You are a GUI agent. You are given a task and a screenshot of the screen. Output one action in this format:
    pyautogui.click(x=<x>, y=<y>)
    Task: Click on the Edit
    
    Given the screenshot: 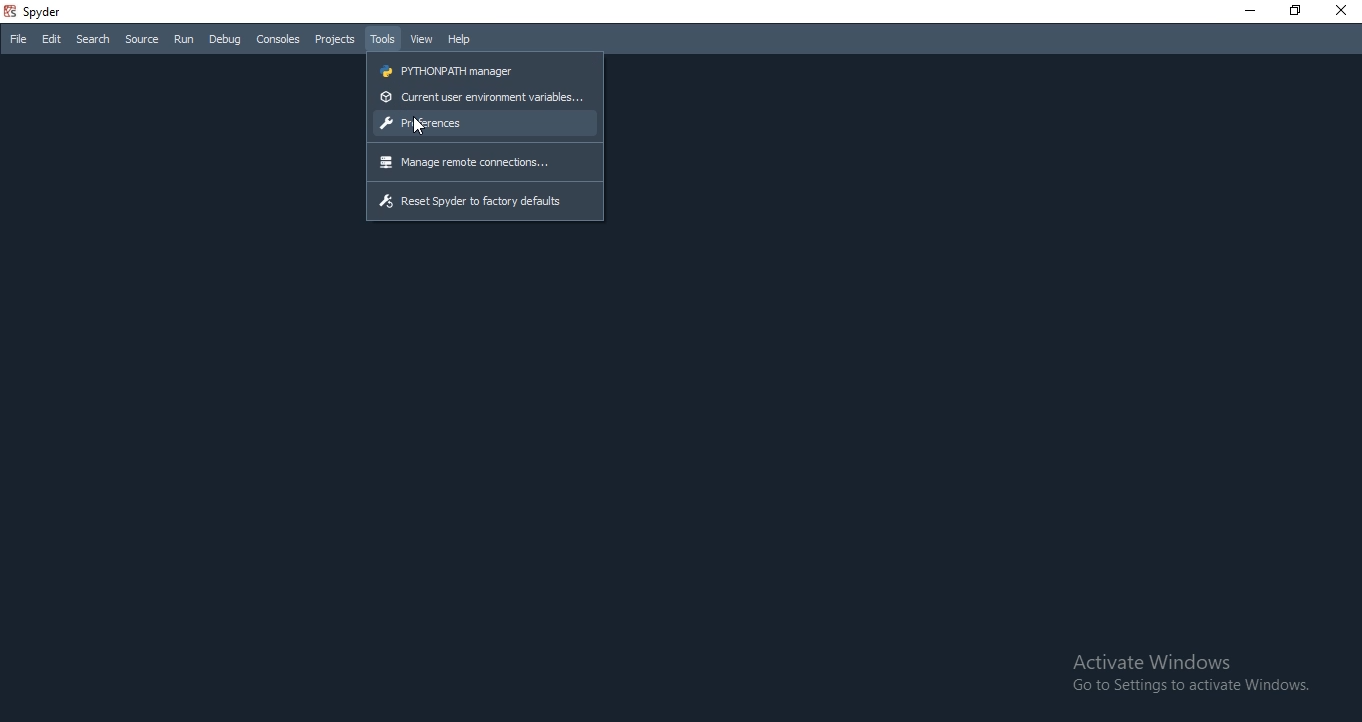 What is the action you would take?
    pyautogui.click(x=52, y=39)
    